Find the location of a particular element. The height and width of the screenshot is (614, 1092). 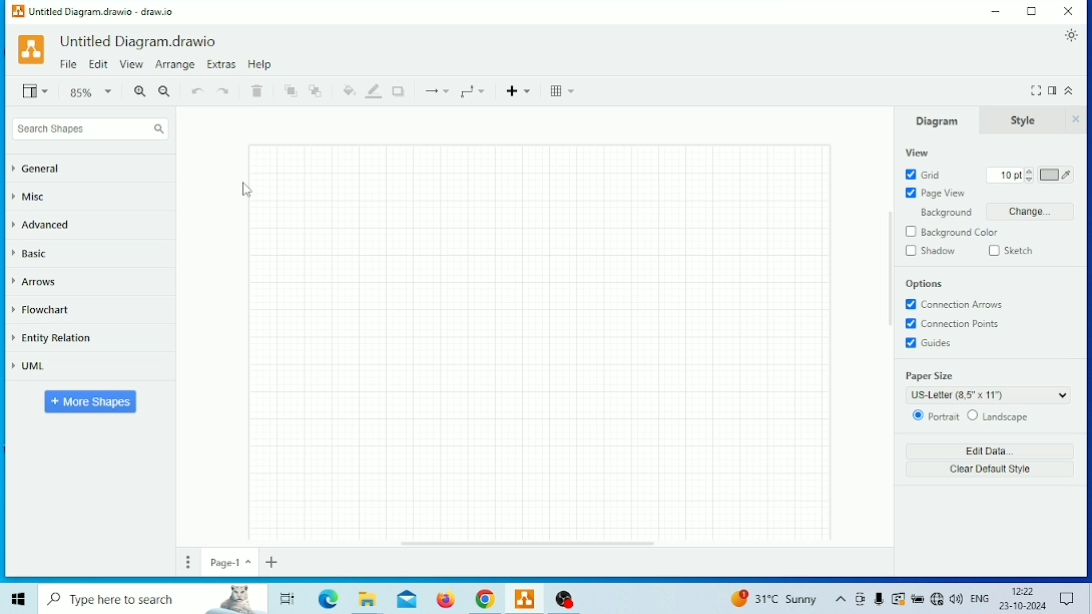

File name is located at coordinates (102, 12).